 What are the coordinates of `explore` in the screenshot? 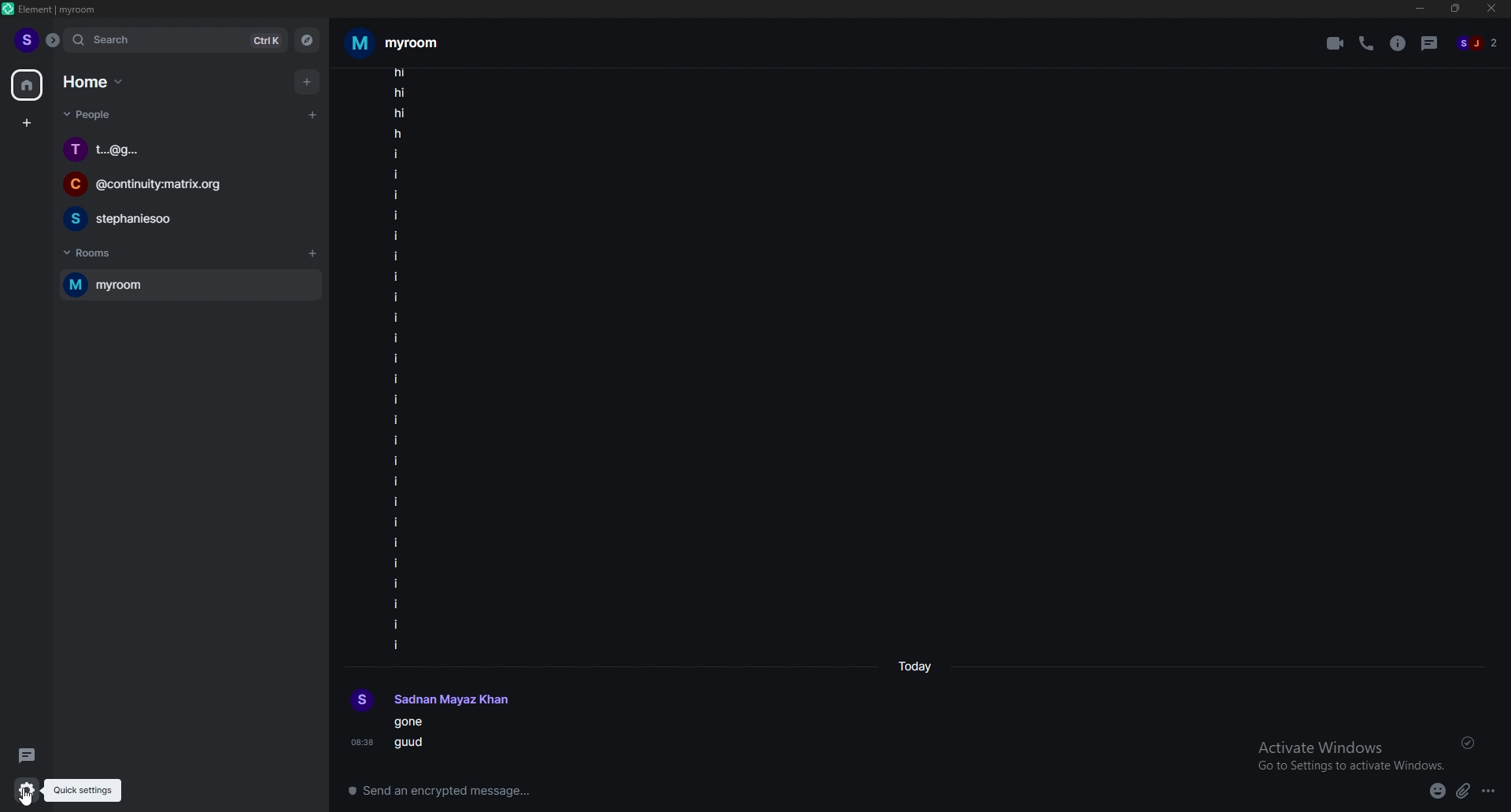 It's located at (307, 39).